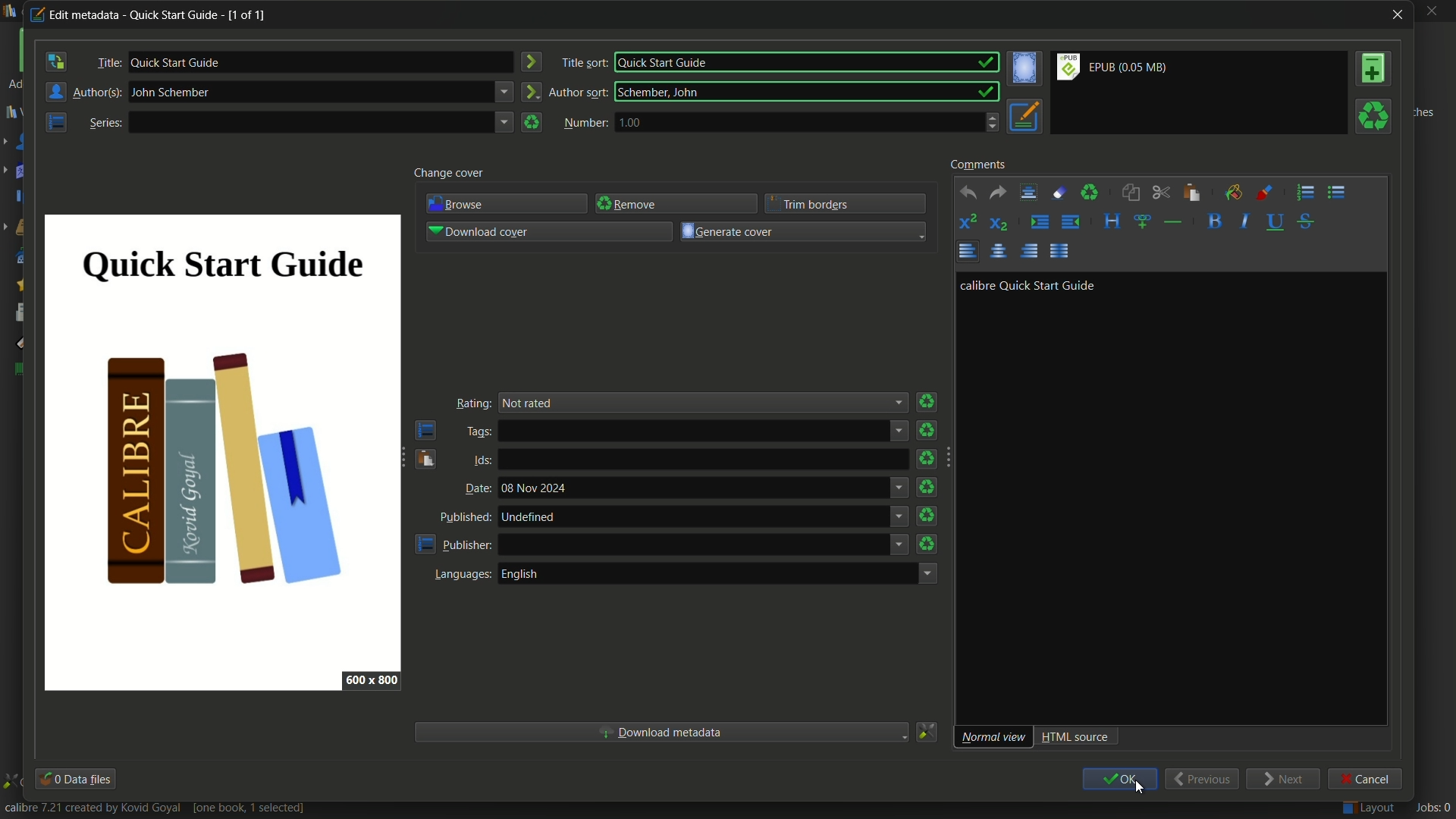 The width and height of the screenshot is (1456, 819). What do you see at coordinates (998, 252) in the screenshot?
I see `align center` at bounding box center [998, 252].